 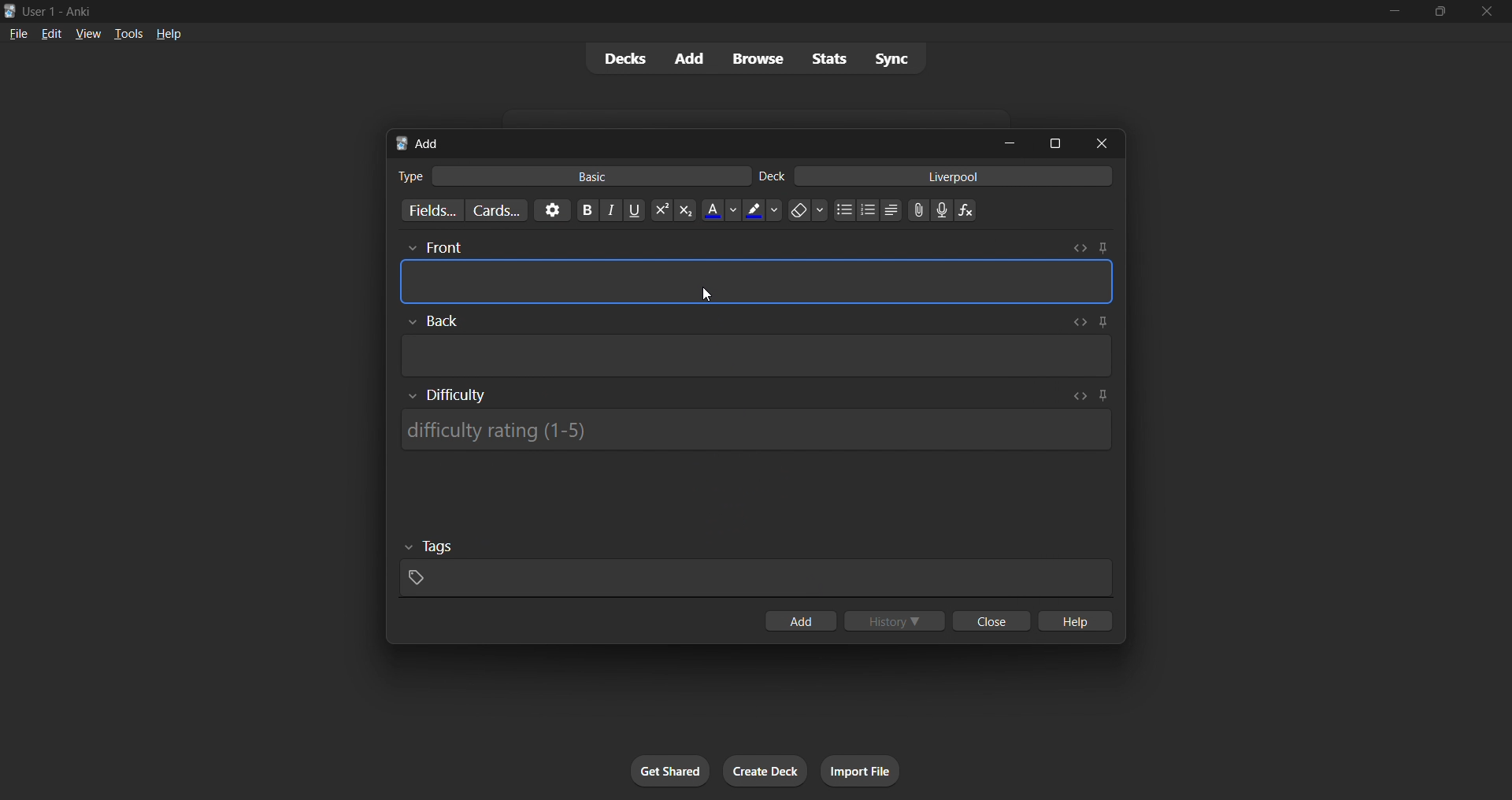 I want to click on Toggle HTML editor, so click(x=1080, y=396).